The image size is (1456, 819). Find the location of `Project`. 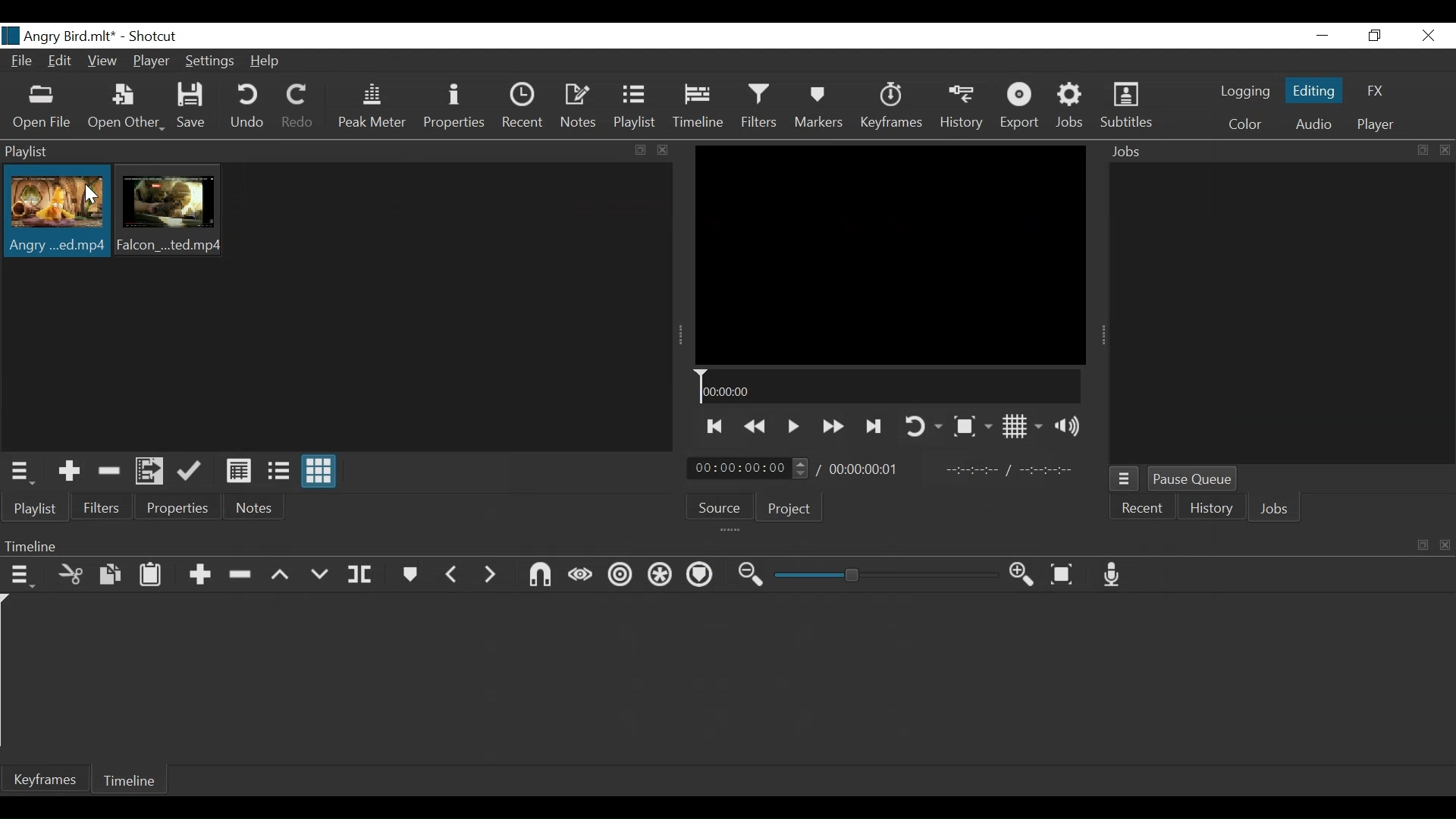

Project is located at coordinates (789, 509).